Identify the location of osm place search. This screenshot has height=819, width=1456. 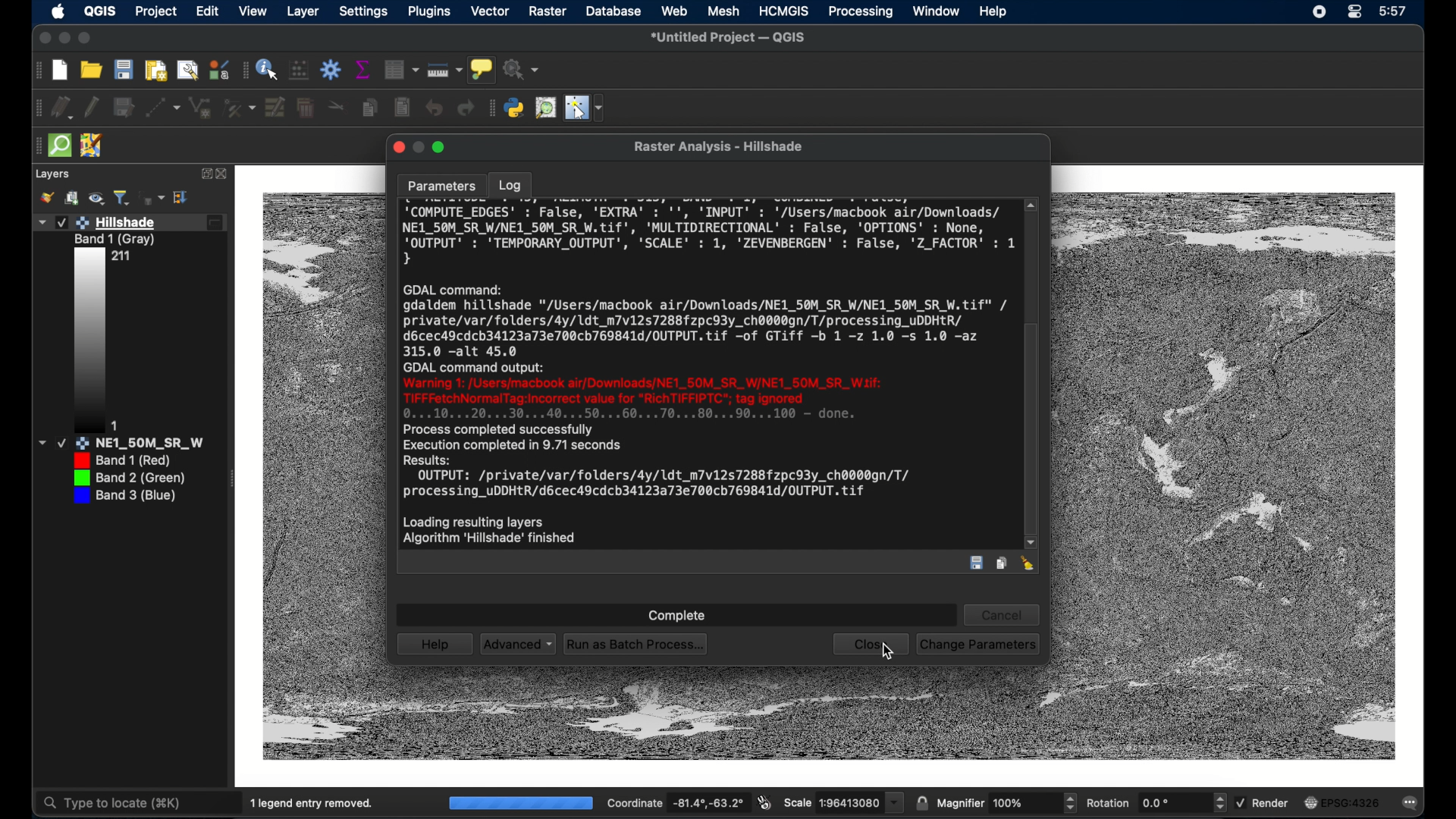
(545, 108).